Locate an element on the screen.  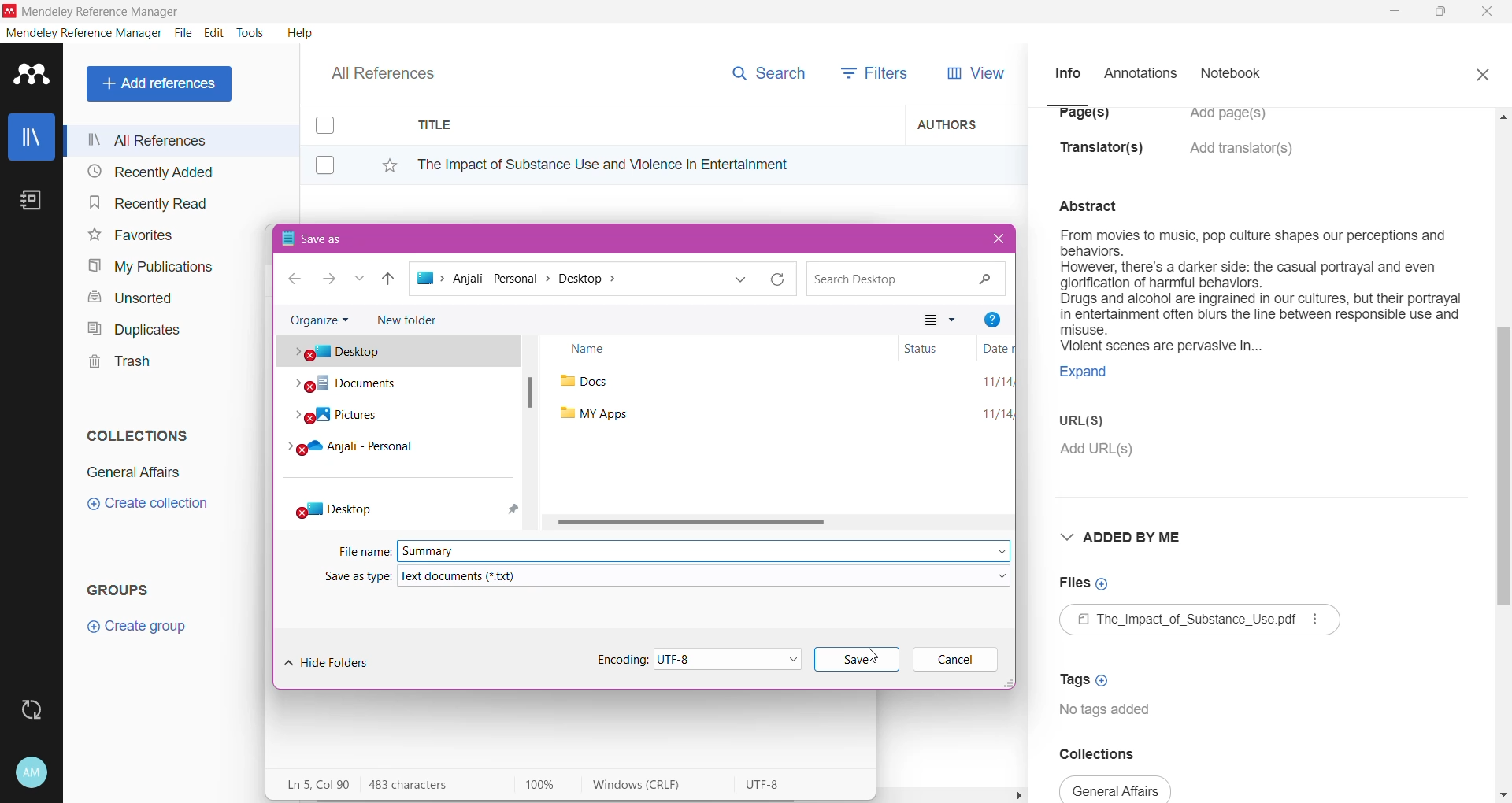
Click to Create Collection is located at coordinates (147, 506).